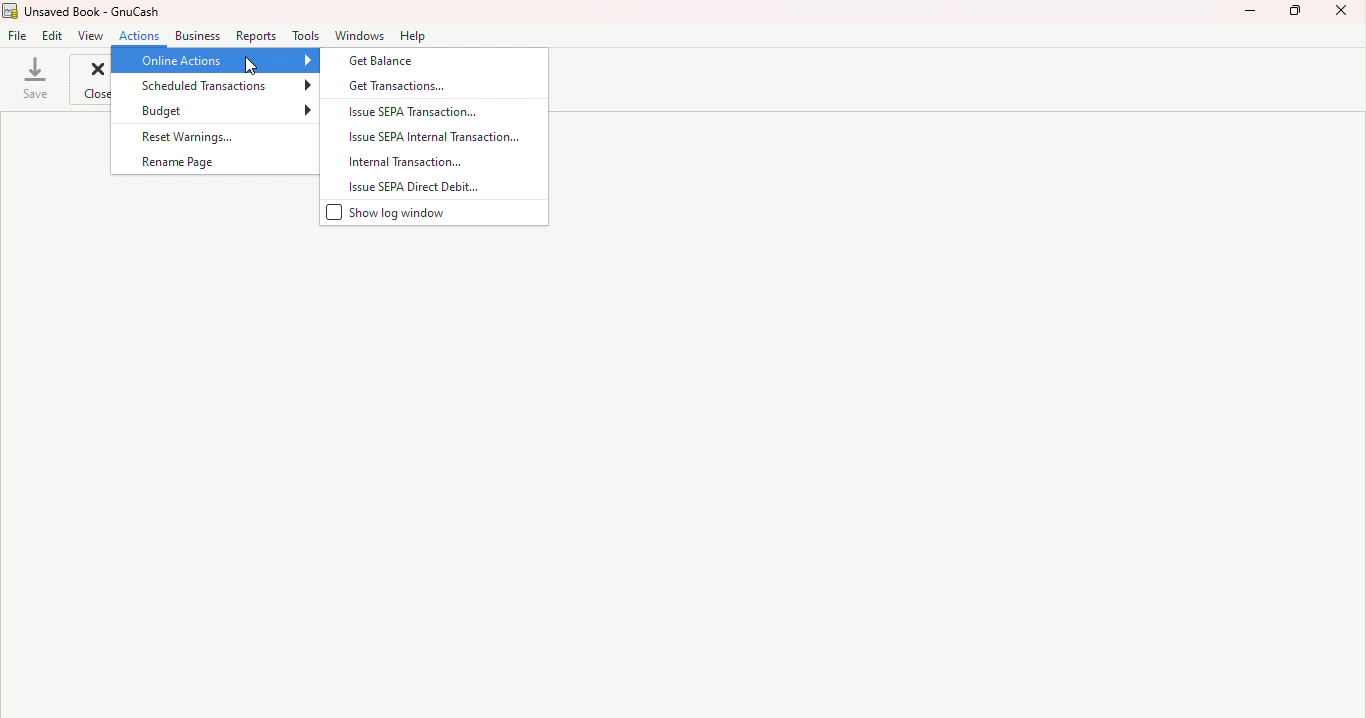  I want to click on Help, so click(414, 37).